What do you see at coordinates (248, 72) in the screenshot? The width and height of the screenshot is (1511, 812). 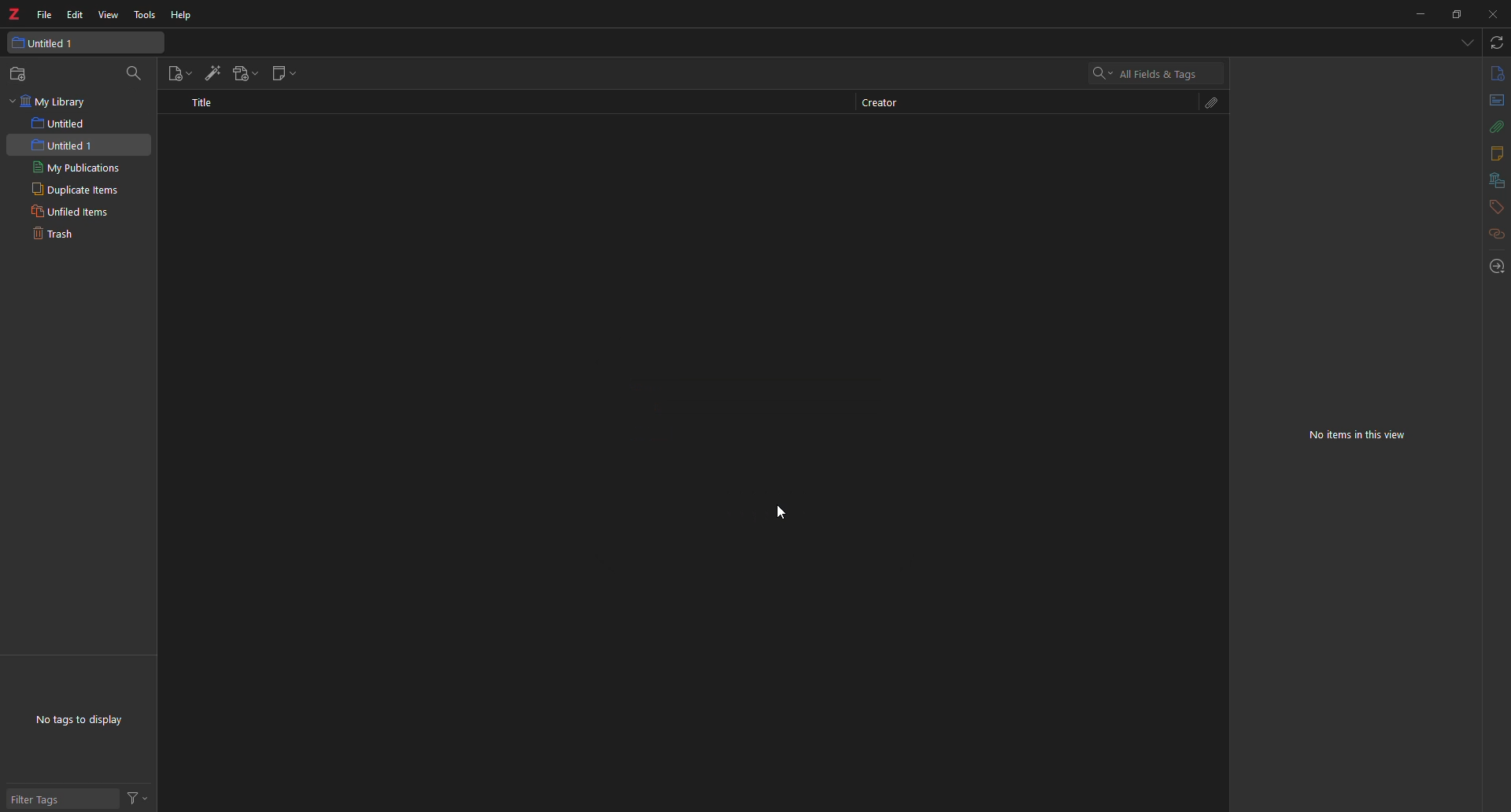 I see `add attachment` at bounding box center [248, 72].